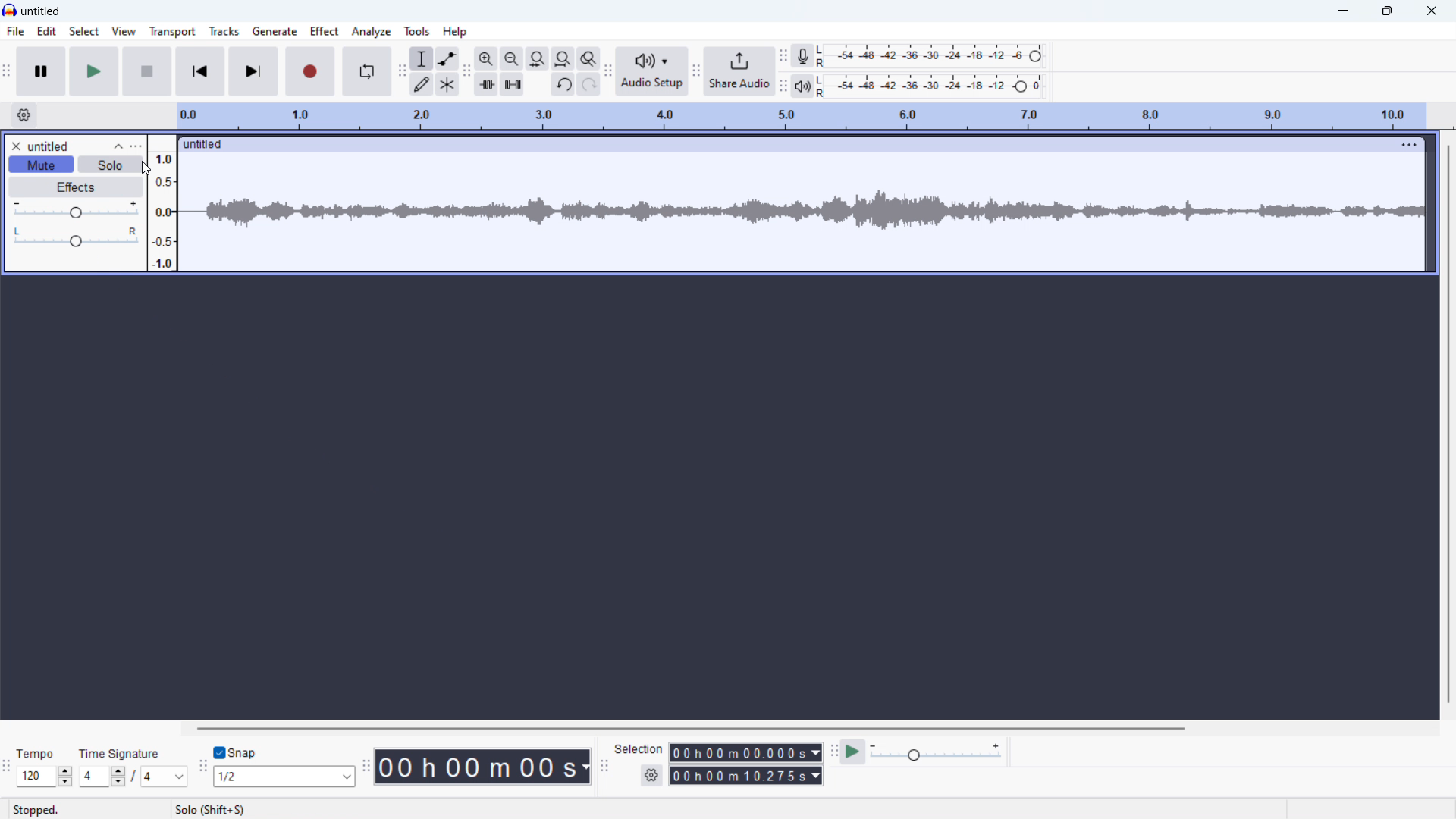  What do you see at coordinates (447, 59) in the screenshot?
I see `envelop tool` at bounding box center [447, 59].